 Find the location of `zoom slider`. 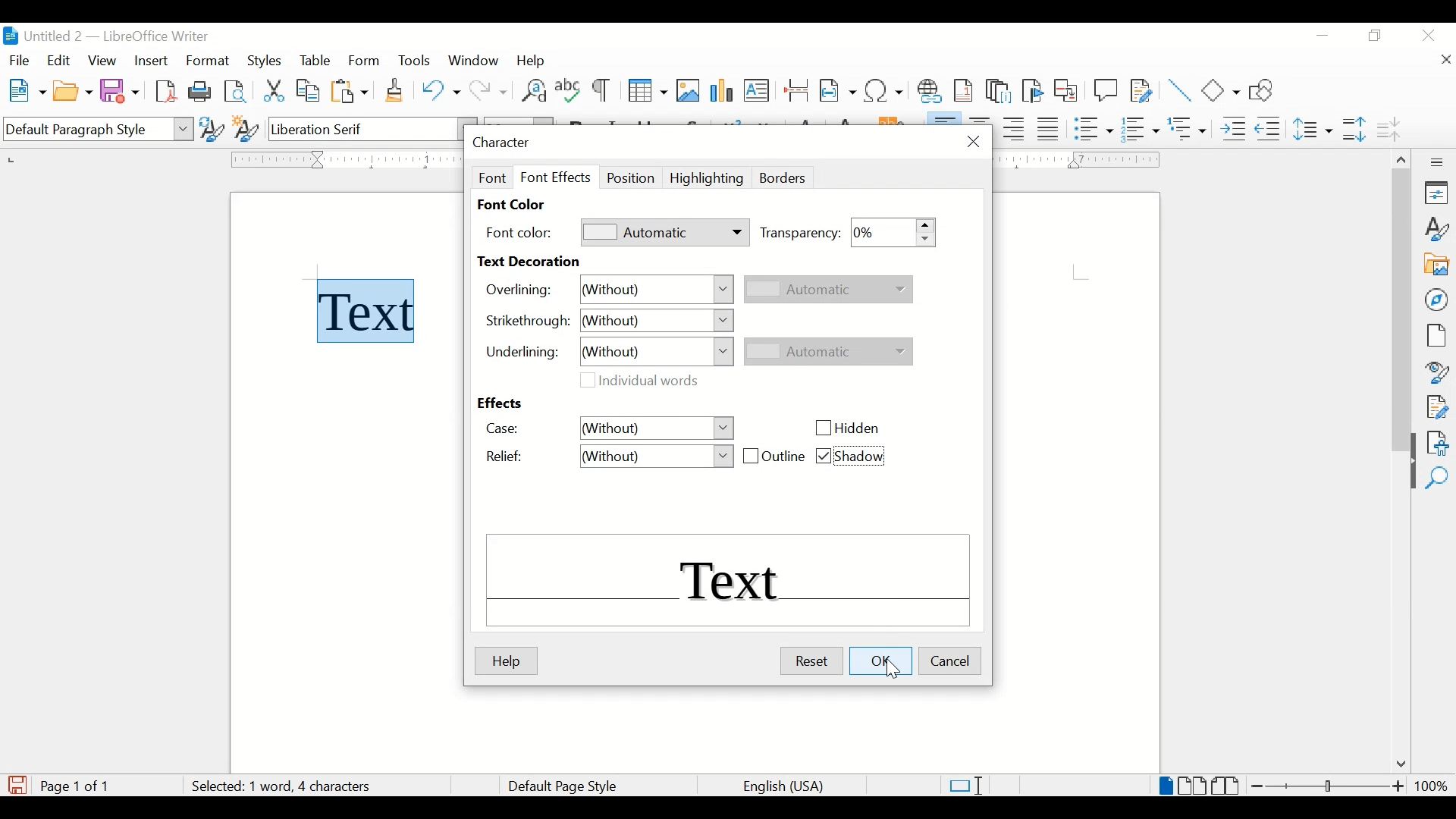

zoom slider is located at coordinates (1329, 786).